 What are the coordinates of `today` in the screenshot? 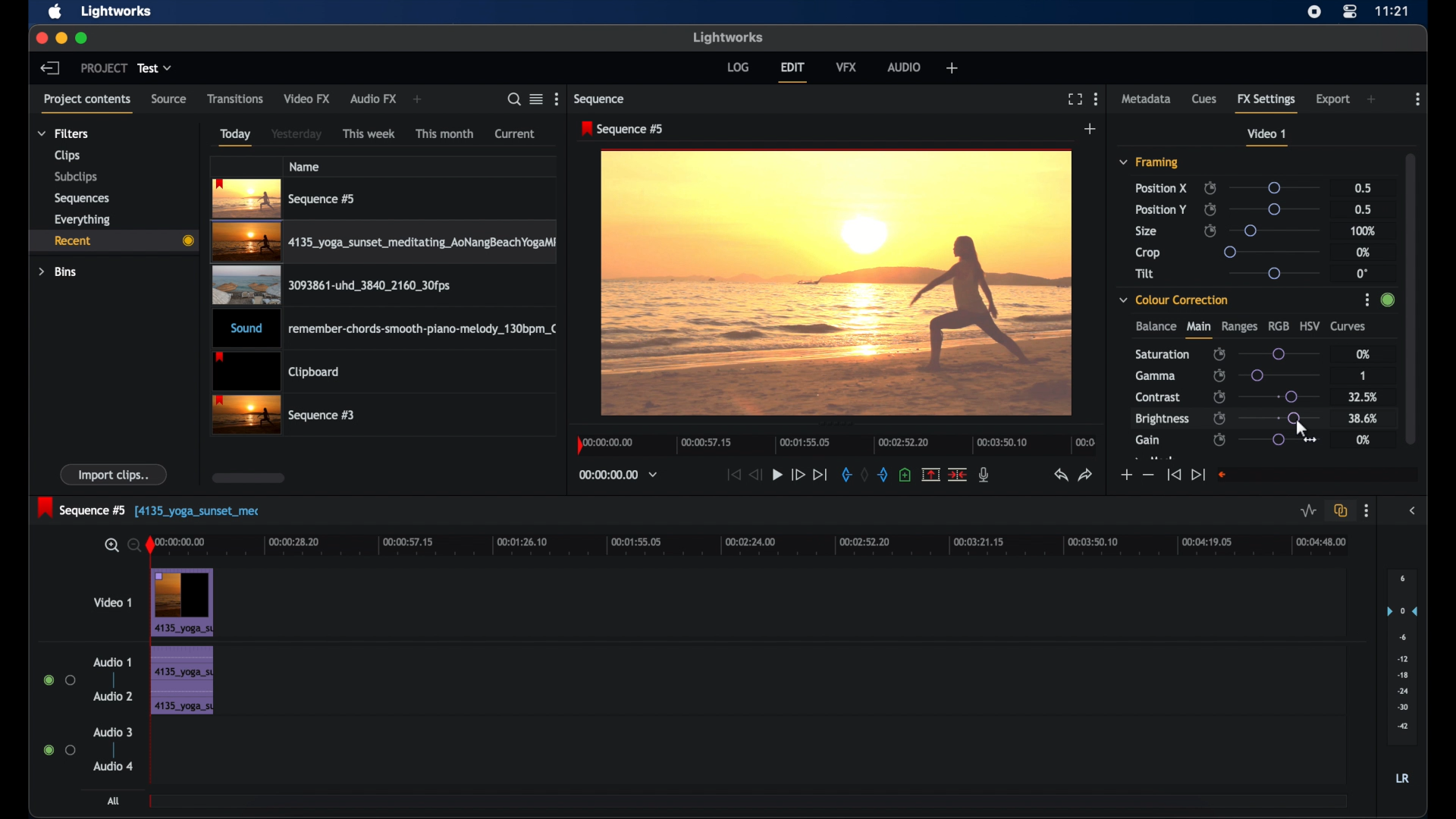 It's located at (235, 137).